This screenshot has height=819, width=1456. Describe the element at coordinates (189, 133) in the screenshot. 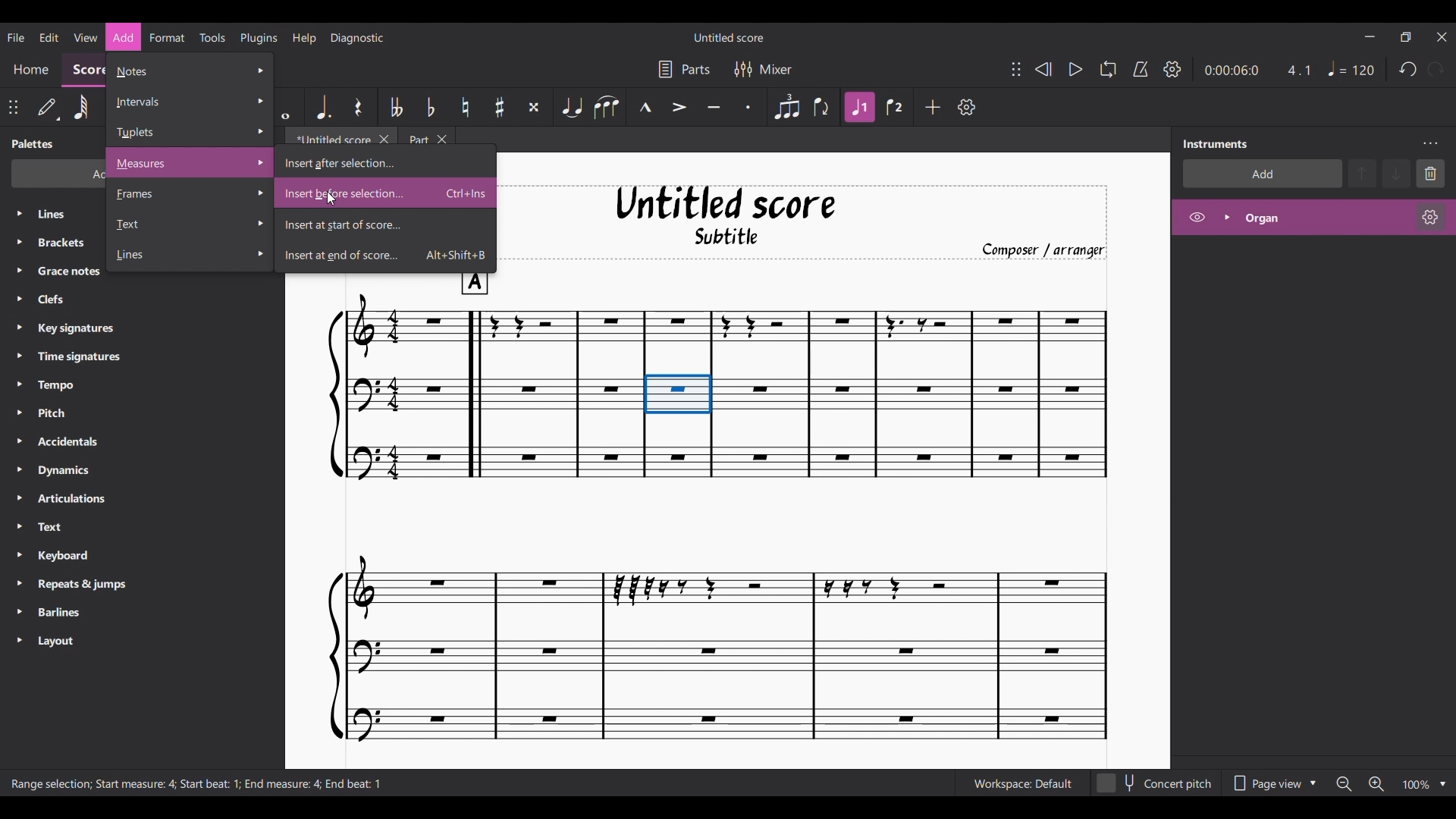

I see `Tuplet options` at that location.